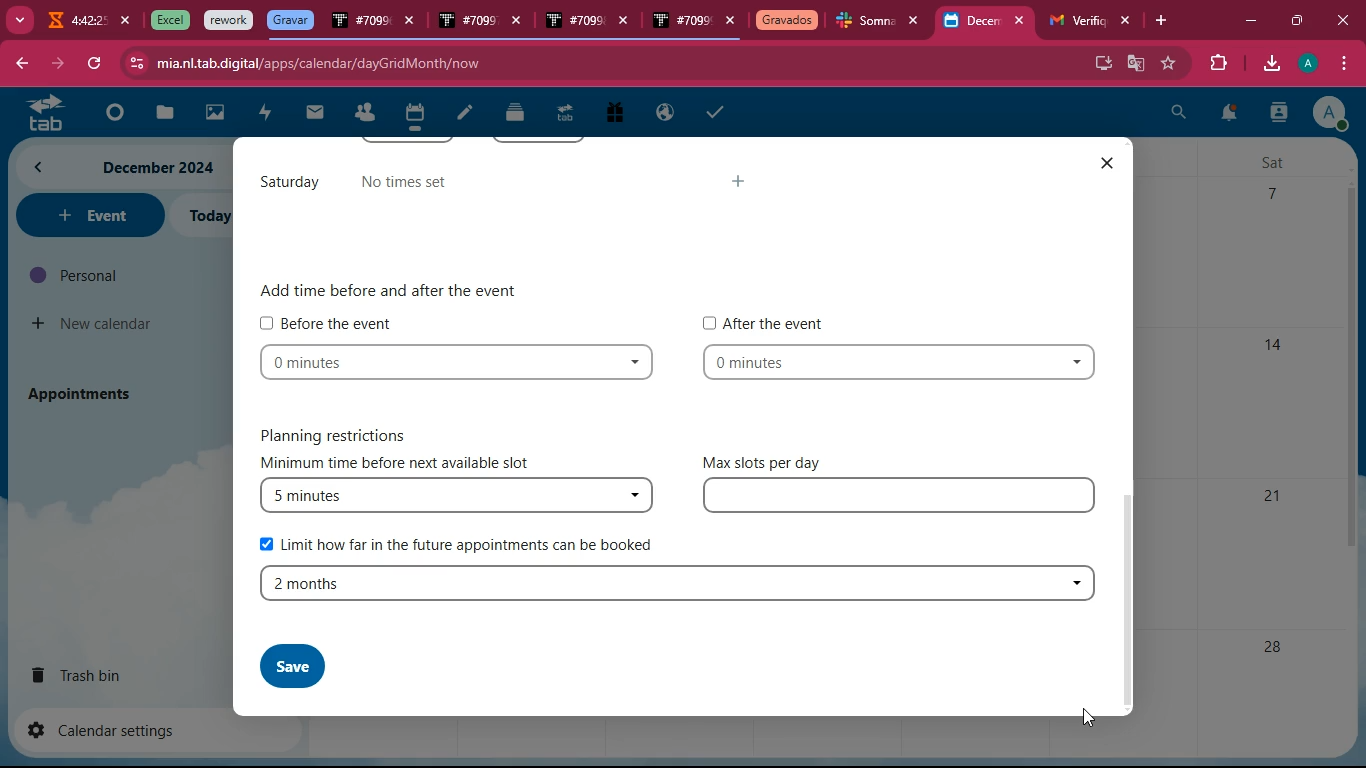 The image size is (1366, 768). What do you see at coordinates (564, 116) in the screenshot?
I see `tab` at bounding box center [564, 116].